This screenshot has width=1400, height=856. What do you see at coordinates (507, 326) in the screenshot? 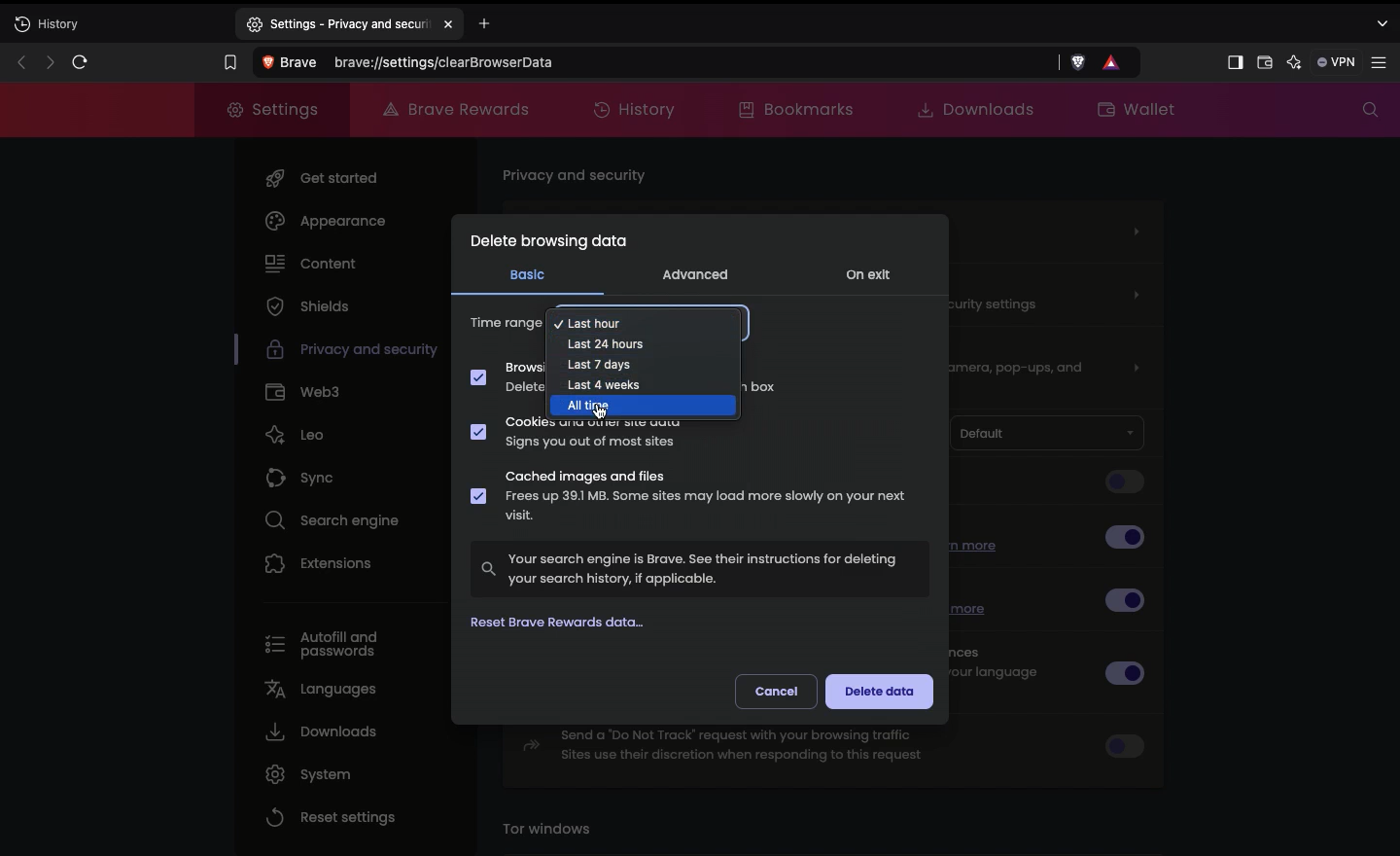
I see `Time range` at bounding box center [507, 326].